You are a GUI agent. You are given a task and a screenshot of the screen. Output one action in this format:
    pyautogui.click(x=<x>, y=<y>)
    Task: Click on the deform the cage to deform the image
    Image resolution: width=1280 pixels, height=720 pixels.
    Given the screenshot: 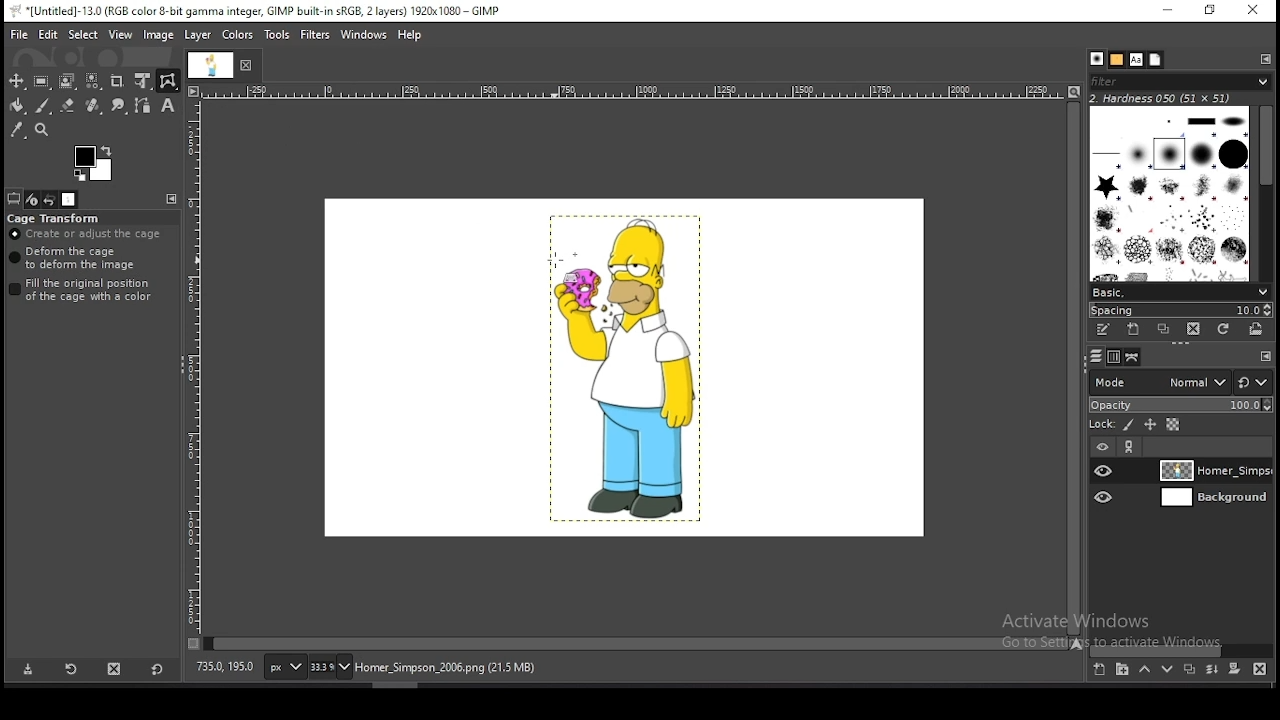 What is the action you would take?
    pyautogui.click(x=76, y=259)
    